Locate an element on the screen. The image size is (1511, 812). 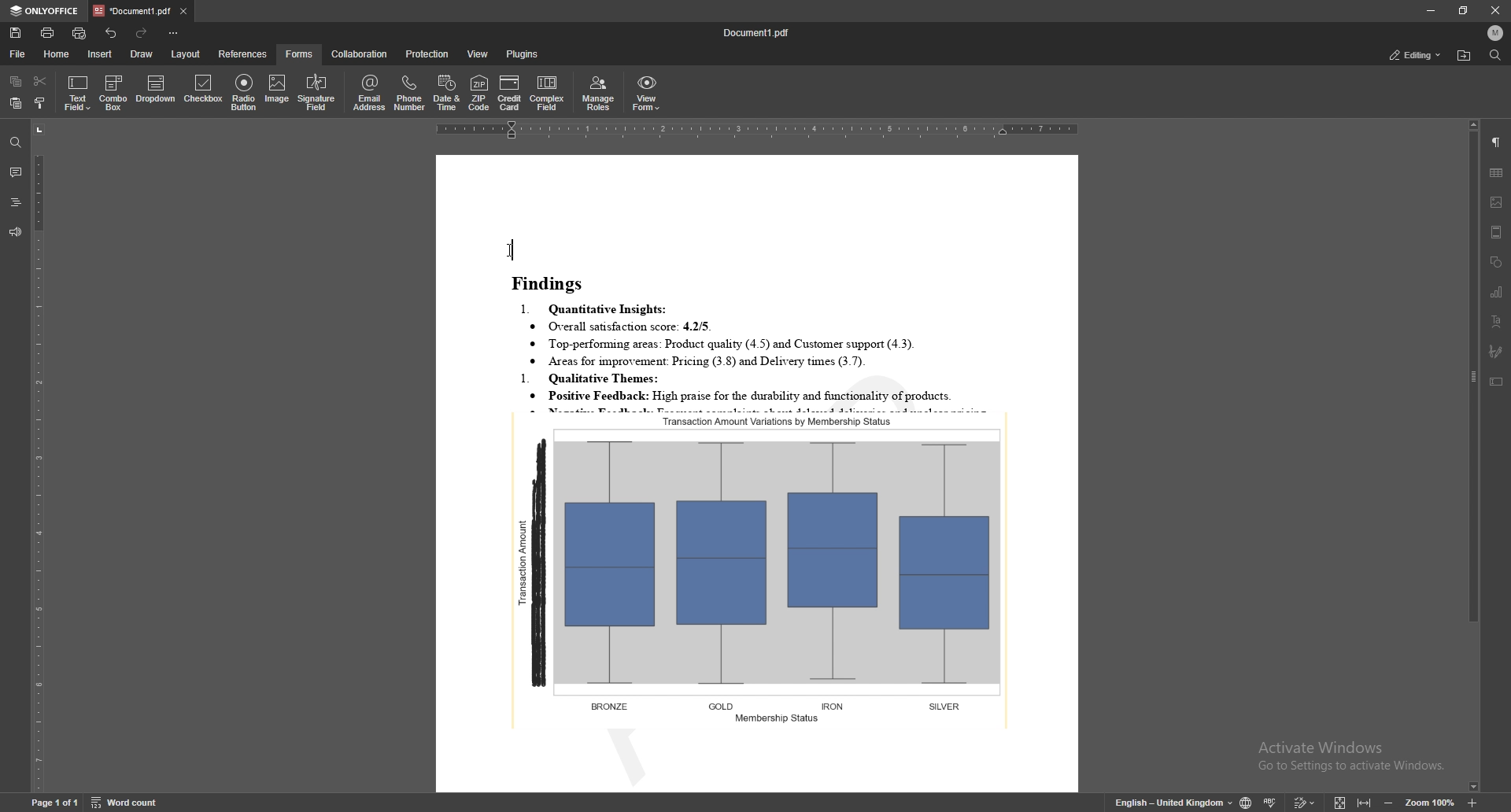
signature field is located at coordinates (317, 92).